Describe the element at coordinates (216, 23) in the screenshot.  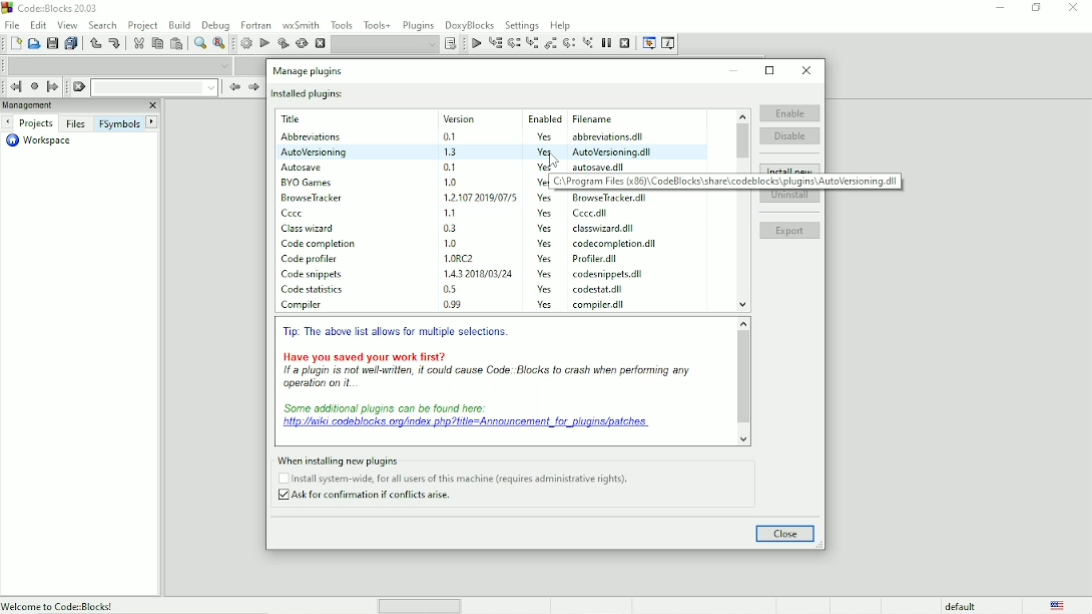
I see `Debug` at that location.